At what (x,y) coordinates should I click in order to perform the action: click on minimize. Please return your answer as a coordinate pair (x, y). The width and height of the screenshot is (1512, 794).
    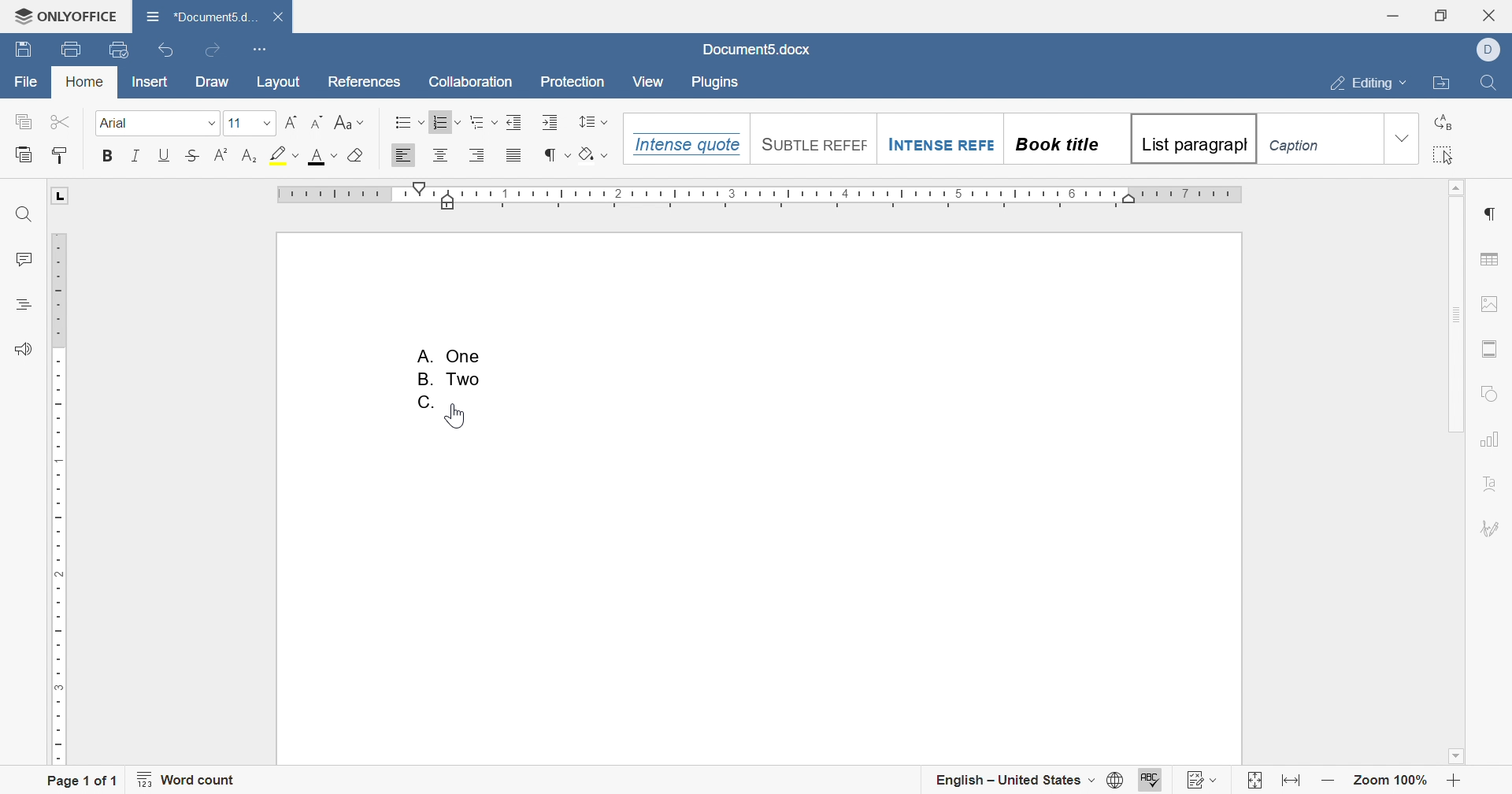
    Looking at the image, I should click on (1392, 14).